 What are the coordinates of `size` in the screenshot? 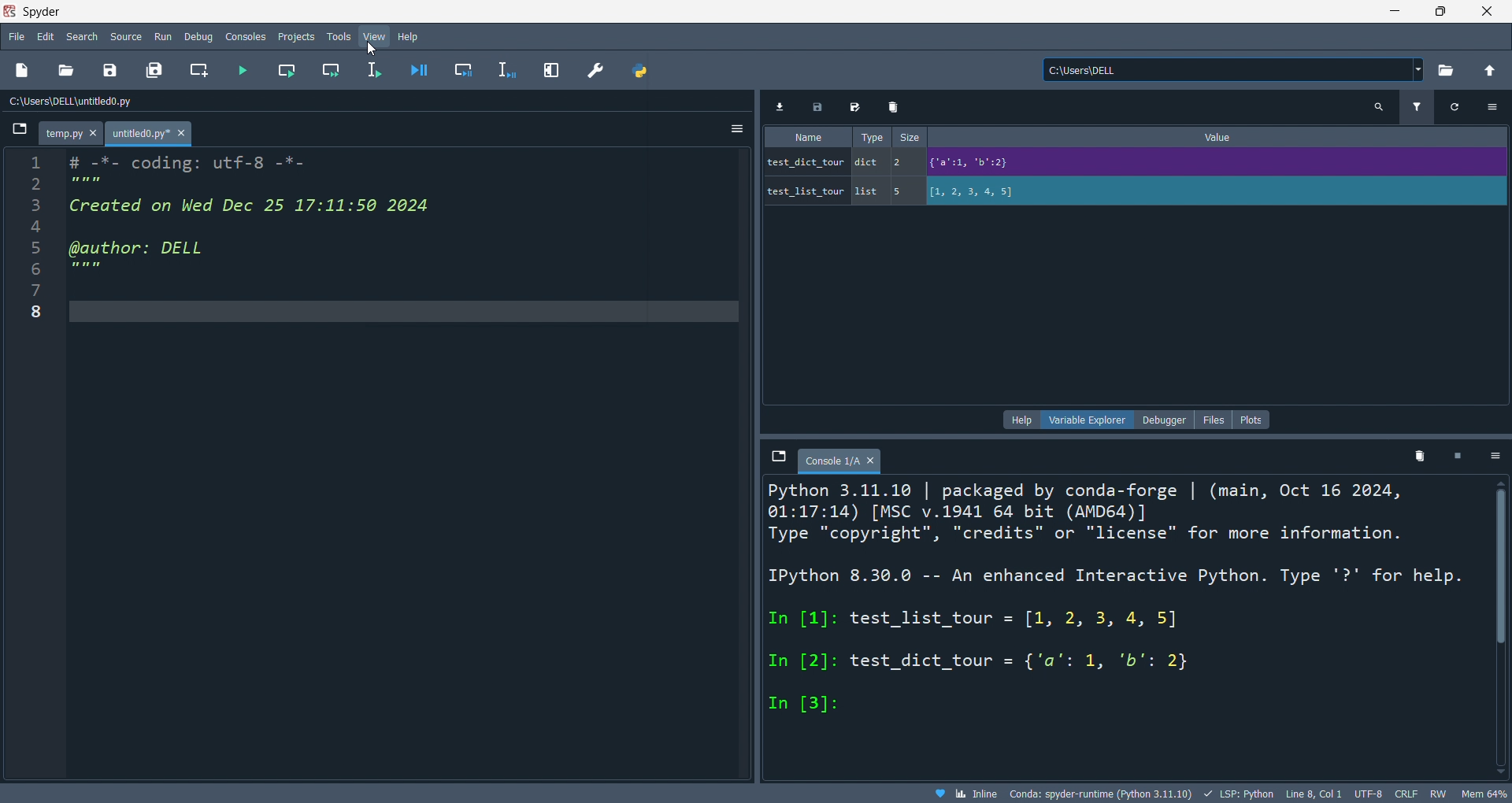 It's located at (910, 138).